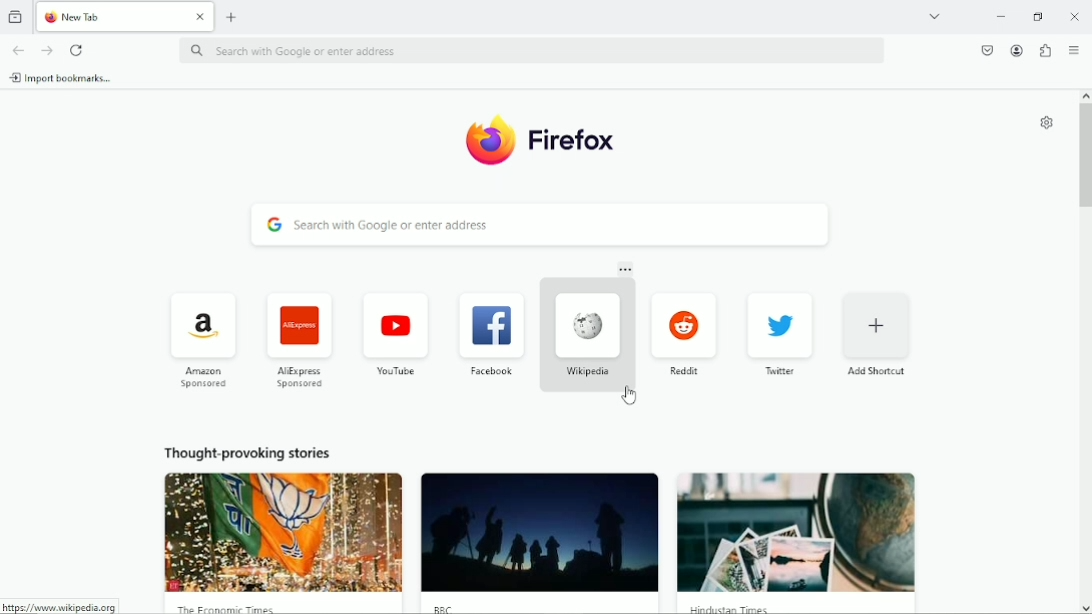 The image size is (1092, 614). Describe the element at coordinates (77, 49) in the screenshot. I see `Reload current page` at that location.